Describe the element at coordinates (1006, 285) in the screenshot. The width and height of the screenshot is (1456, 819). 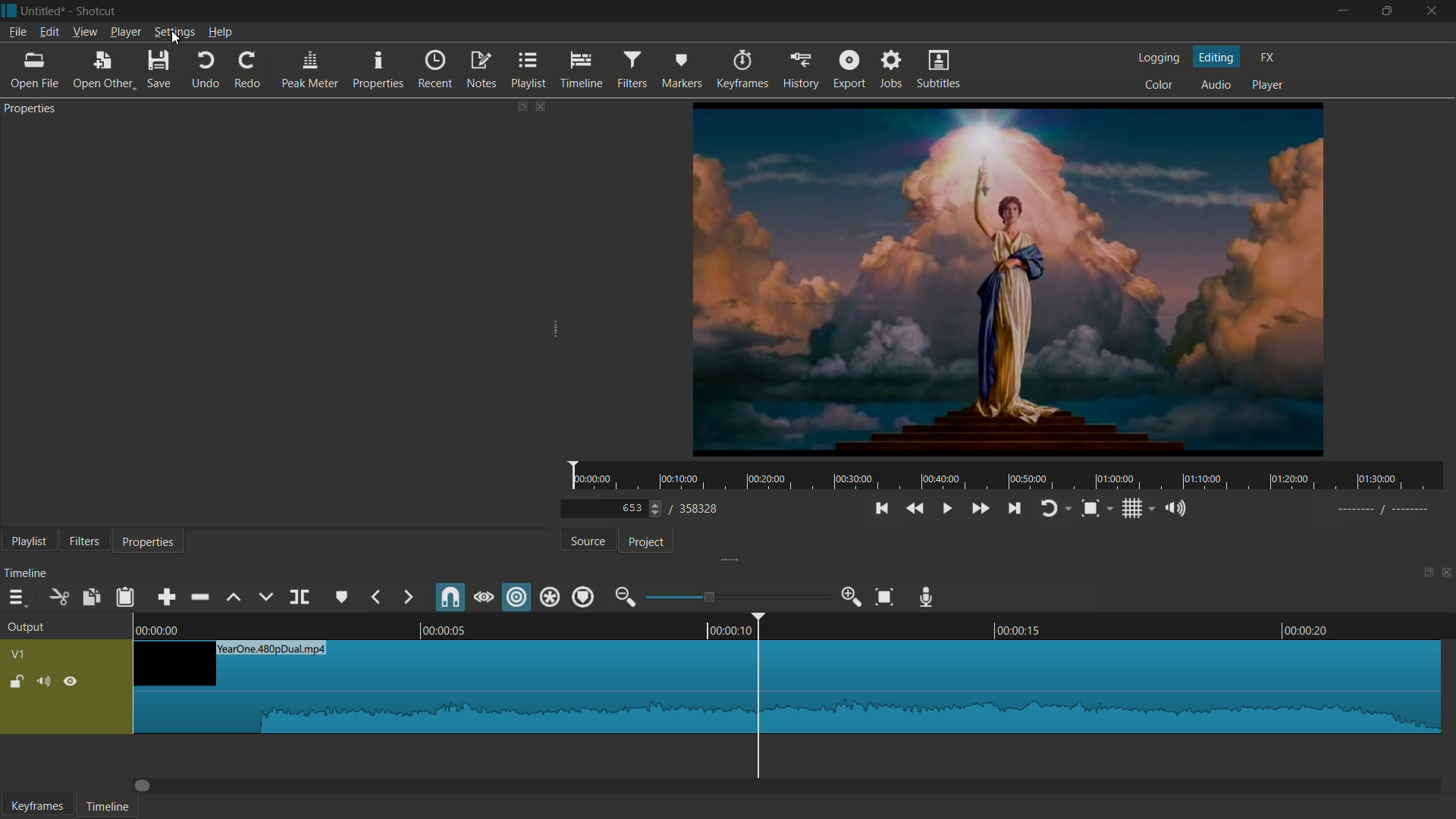
I see `preview video` at that location.